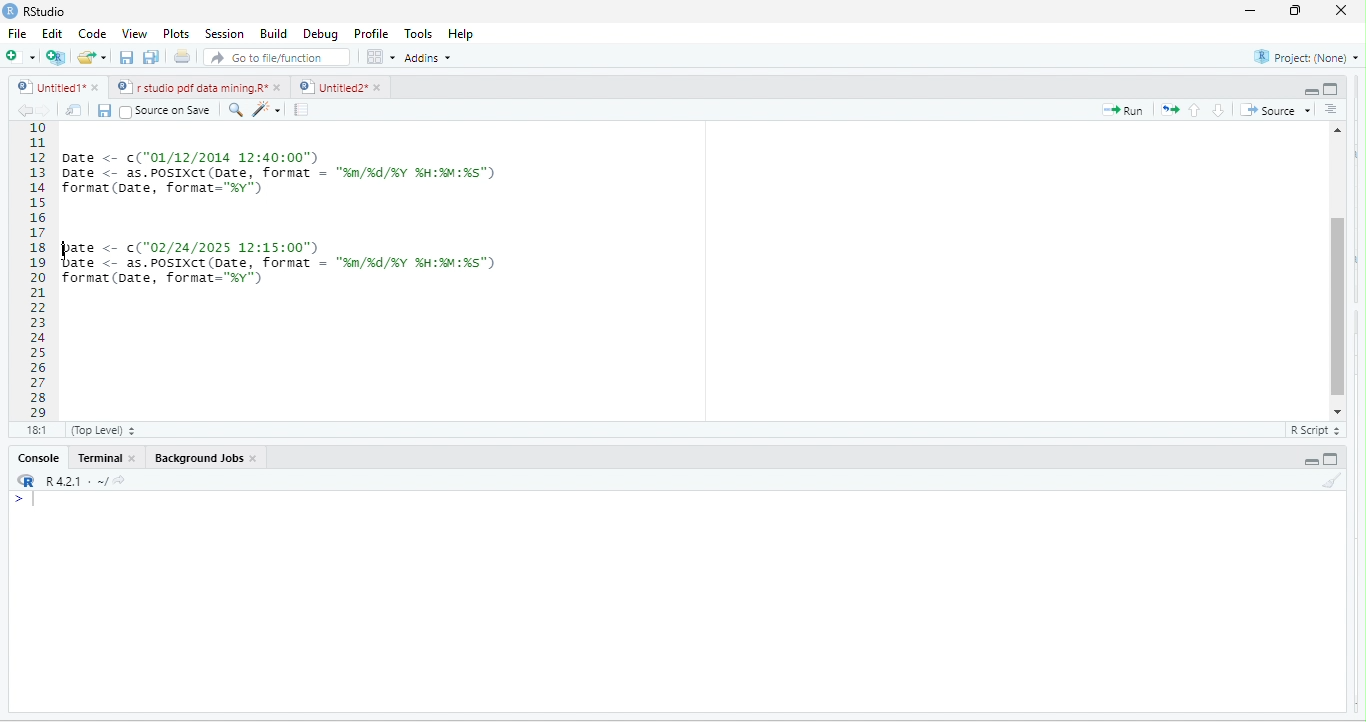  Describe the element at coordinates (1312, 431) in the screenshot. I see `R Script &` at that location.